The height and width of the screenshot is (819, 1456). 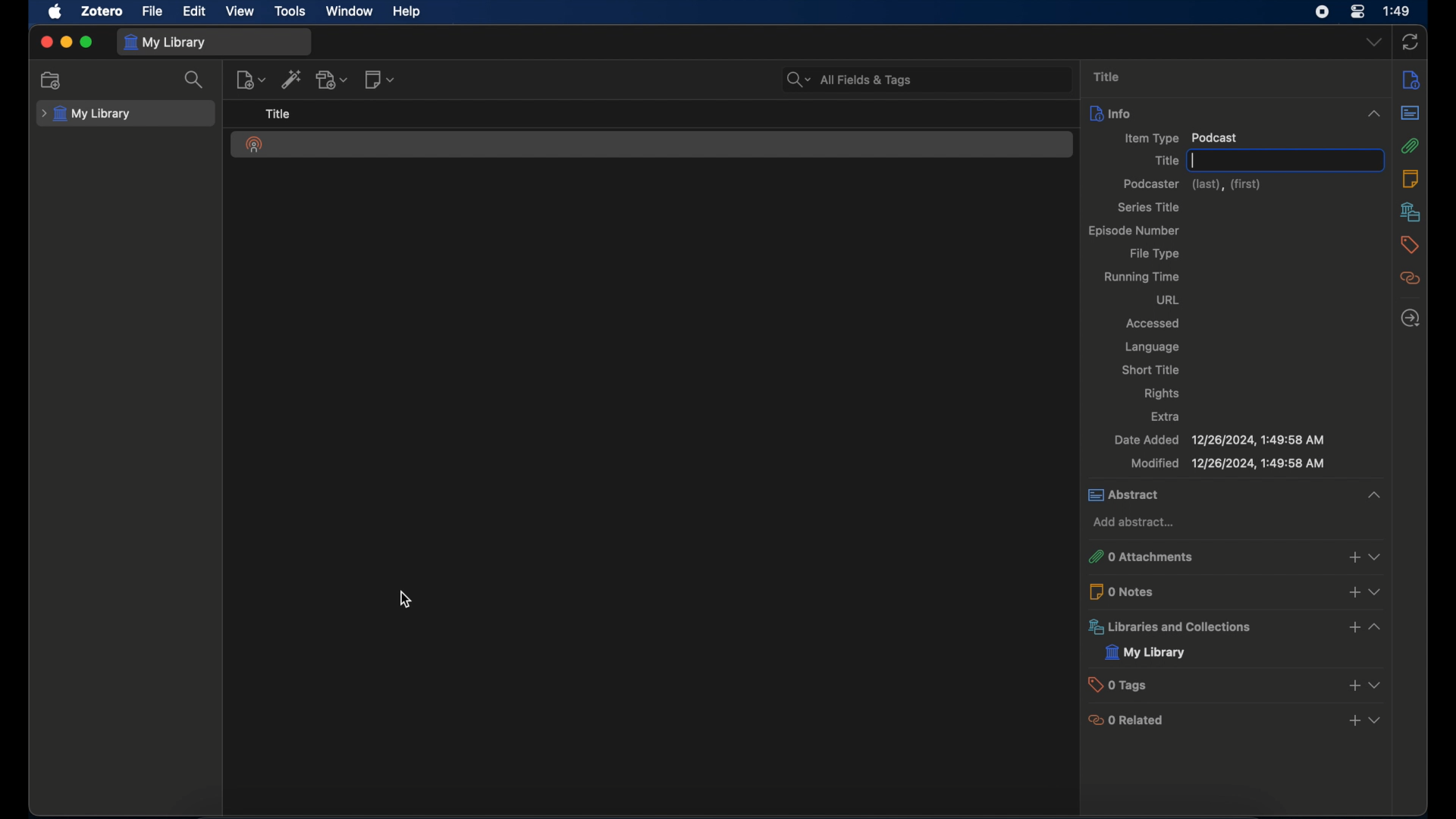 I want to click on short title, so click(x=1152, y=369).